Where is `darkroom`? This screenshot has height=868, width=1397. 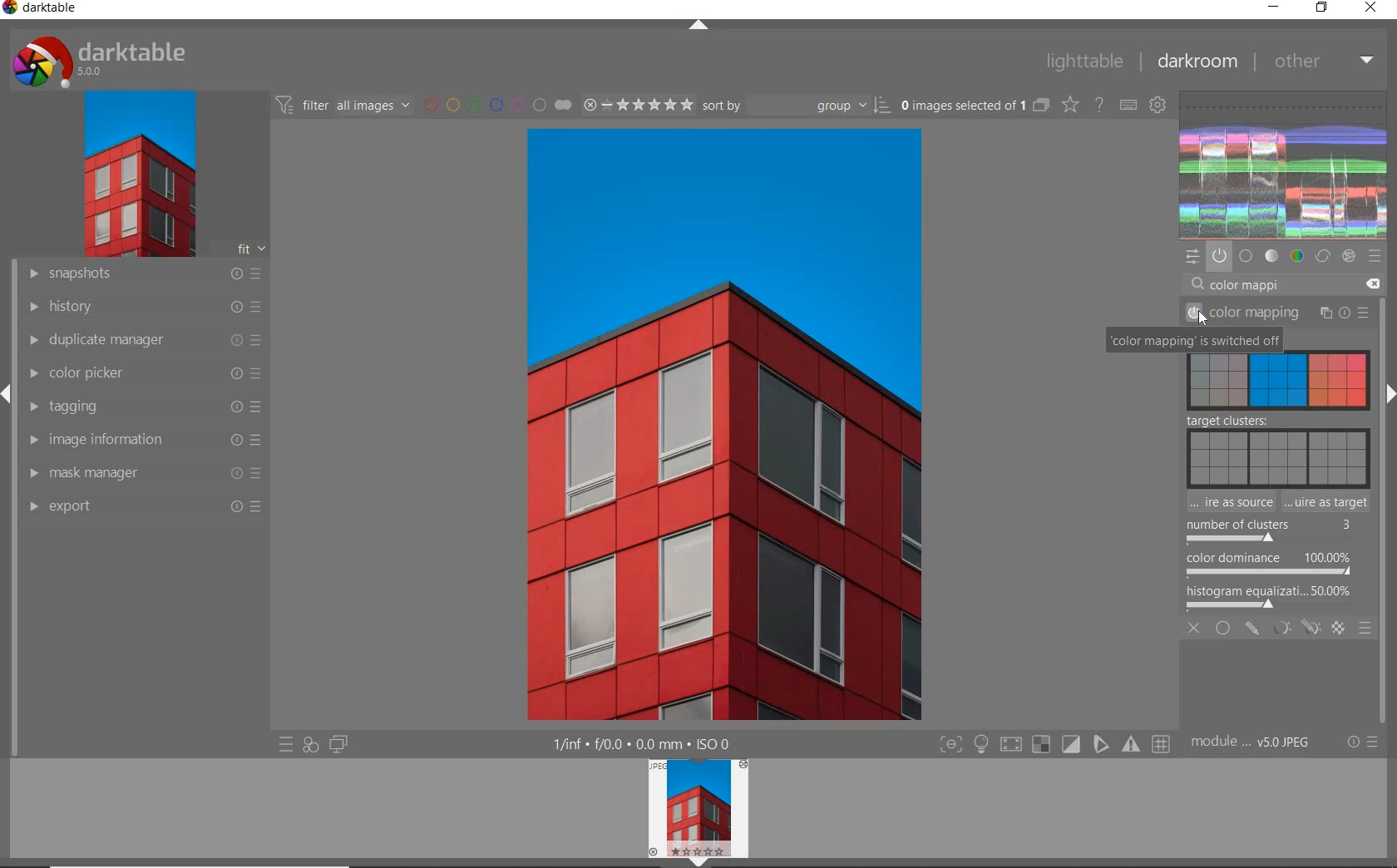 darkroom is located at coordinates (1197, 59).